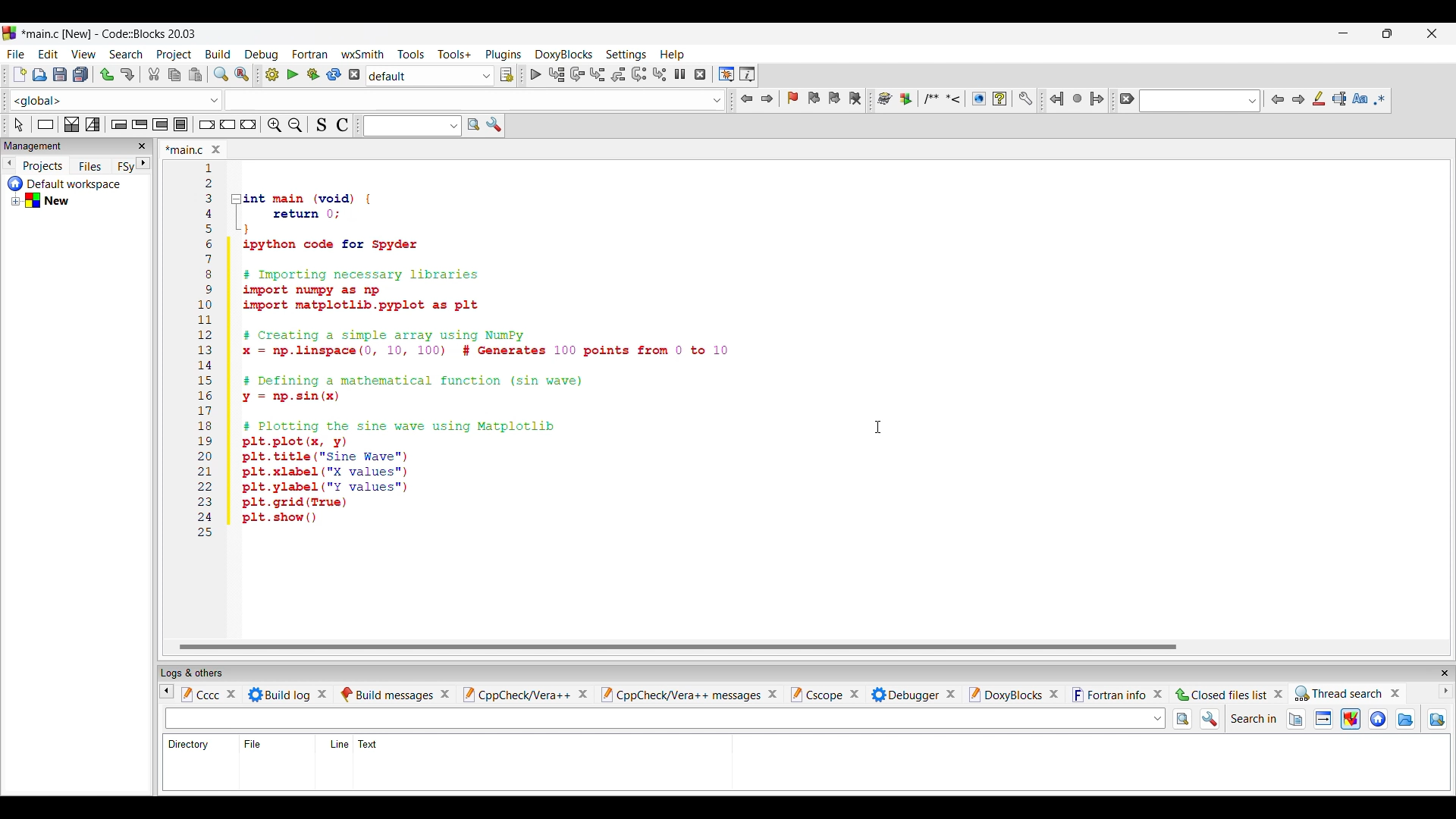 The height and width of the screenshot is (819, 1456). What do you see at coordinates (221, 74) in the screenshot?
I see `Find` at bounding box center [221, 74].